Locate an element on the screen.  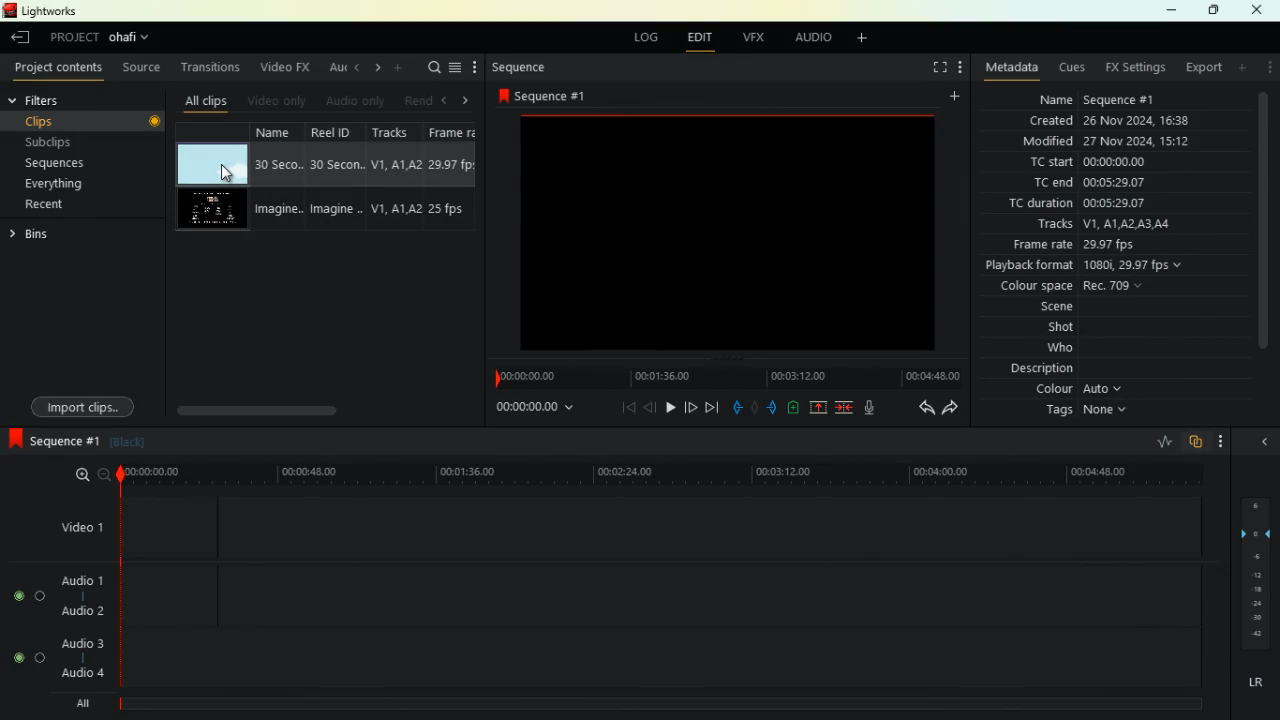
audio 2 is located at coordinates (78, 613).